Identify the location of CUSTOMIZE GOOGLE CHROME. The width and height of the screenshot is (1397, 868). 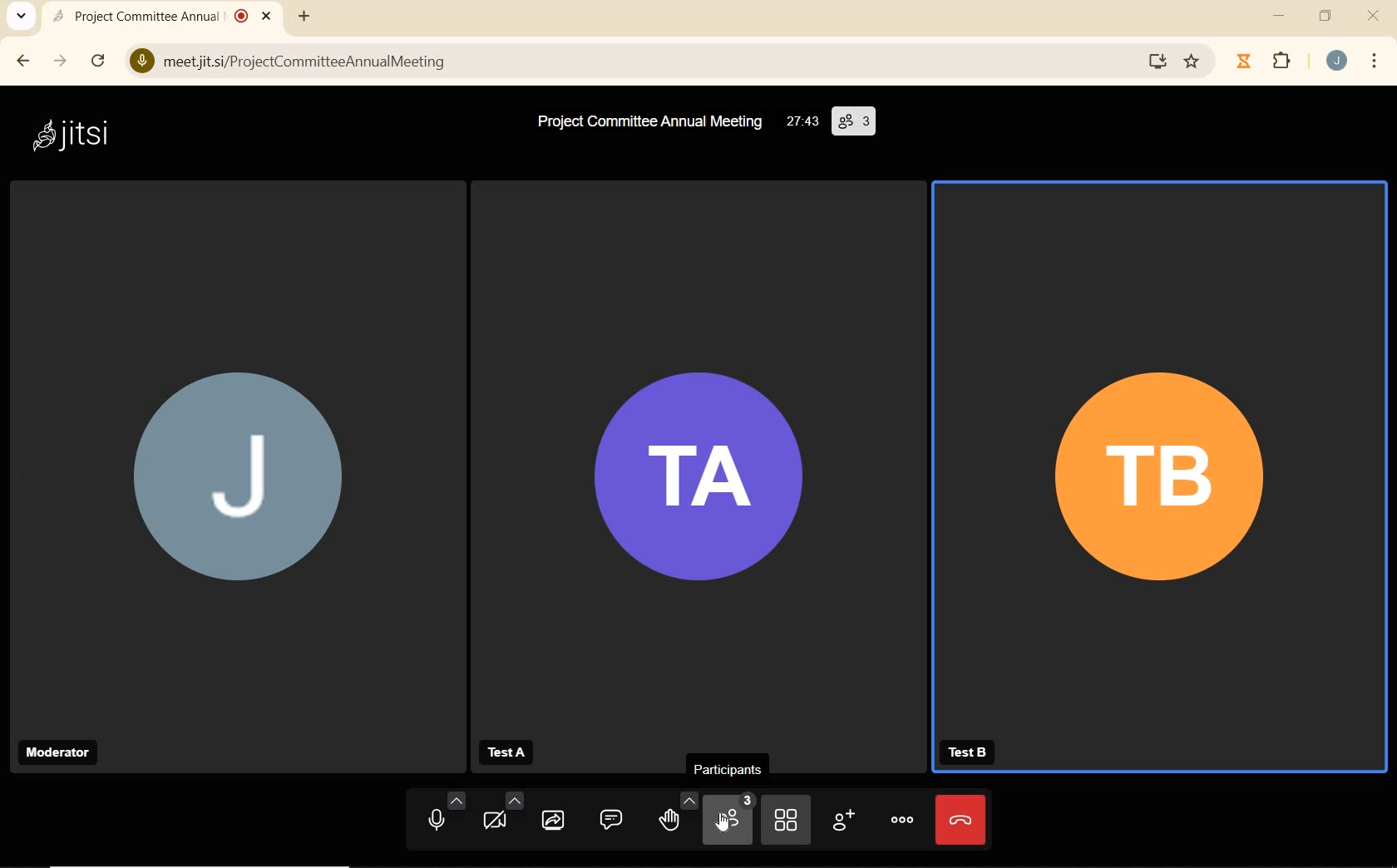
(1379, 63).